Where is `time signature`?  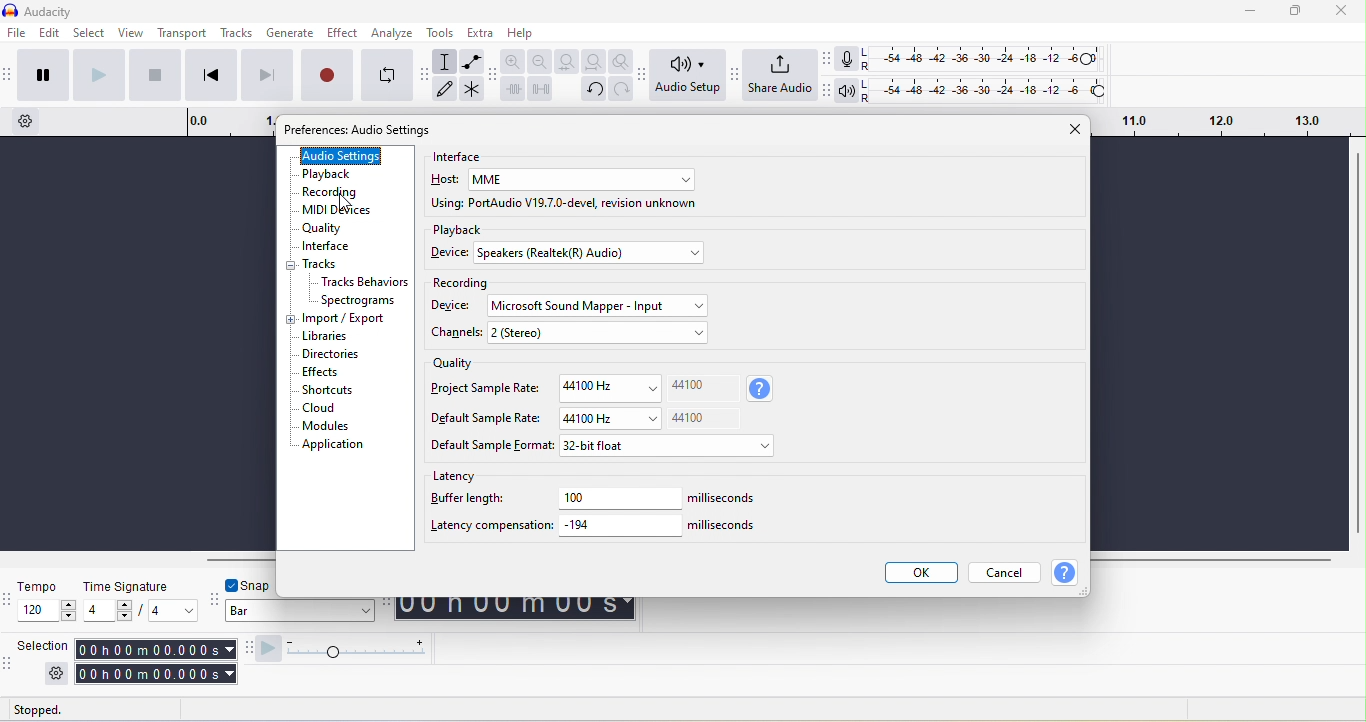 time signature is located at coordinates (139, 600).